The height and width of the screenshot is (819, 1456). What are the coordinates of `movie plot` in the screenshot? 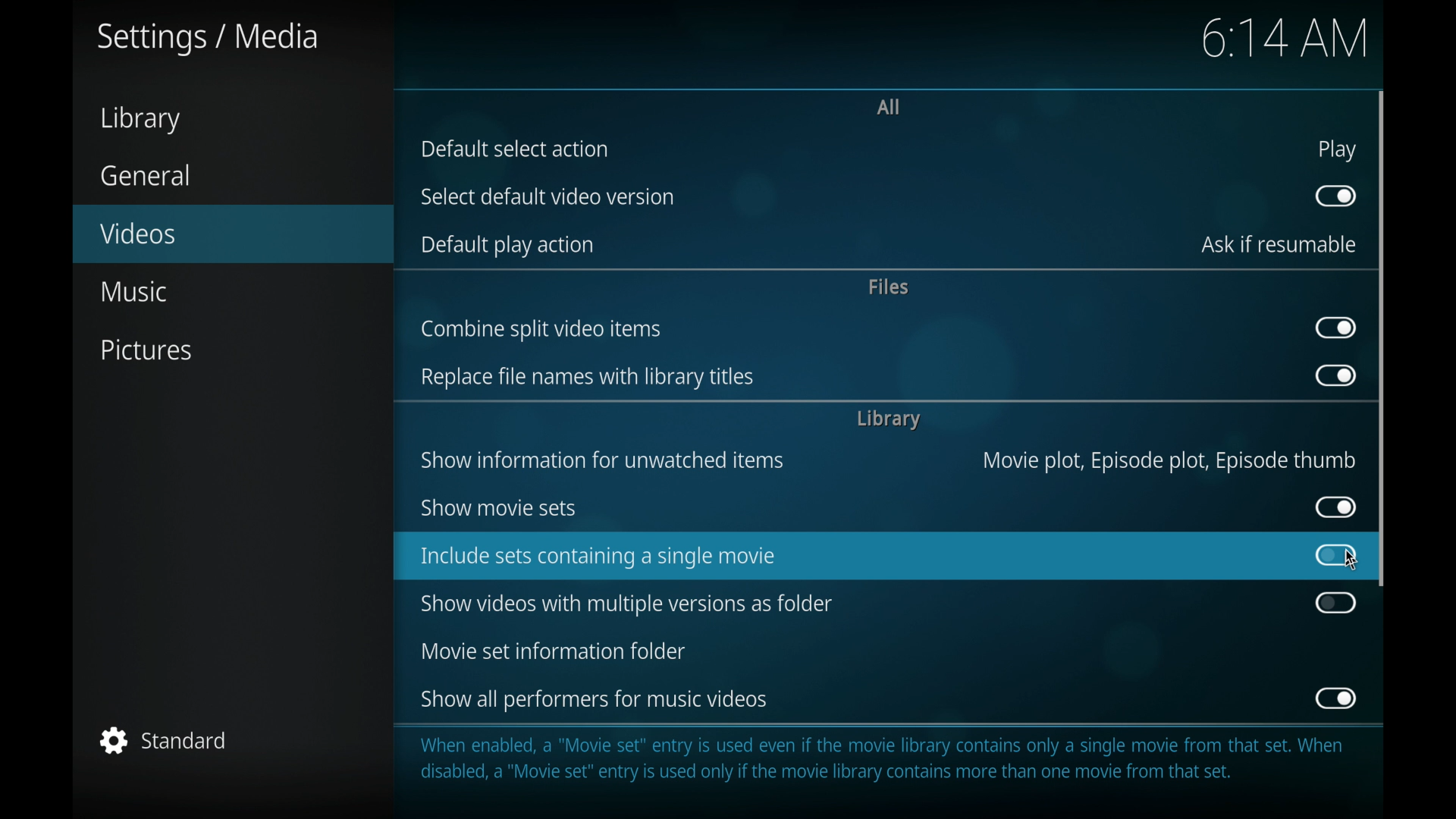 It's located at (1169, 462).